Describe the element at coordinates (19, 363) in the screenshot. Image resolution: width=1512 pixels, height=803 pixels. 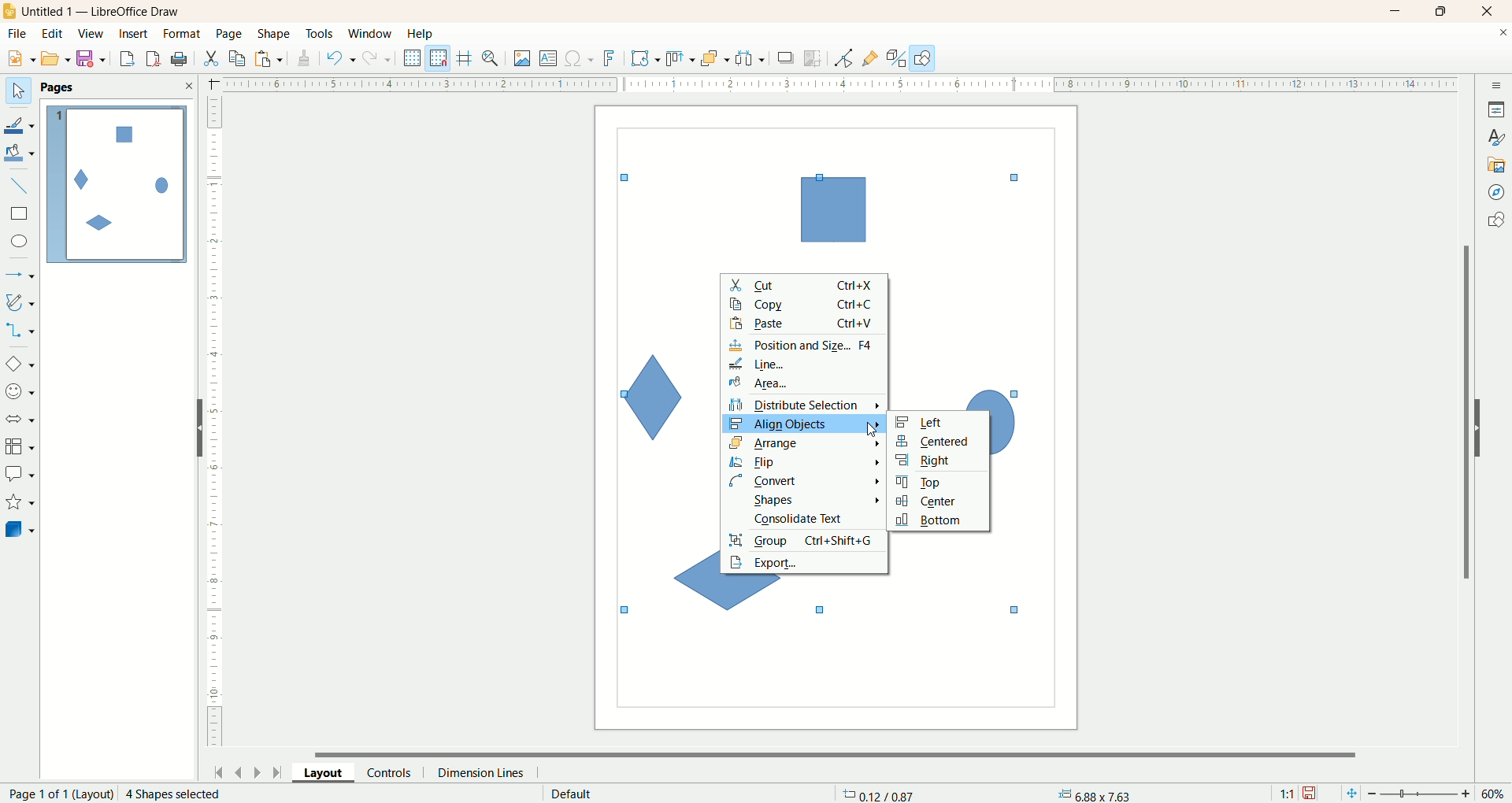
I see `basic shape` at that location.